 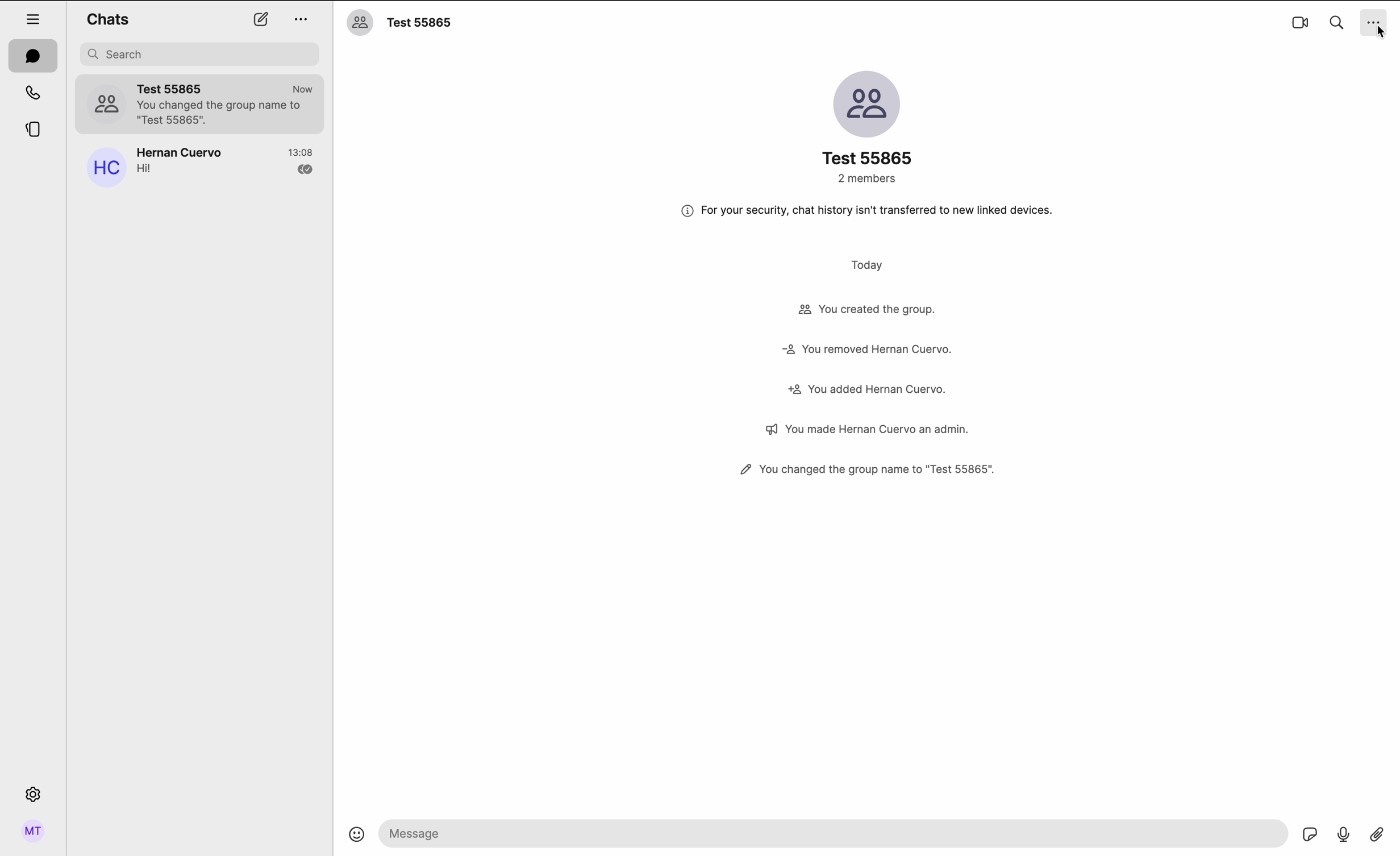 What do you see at coordinates (1298, 26) in the screenshot?
I see `video call` at bounding box center [1298, 26].